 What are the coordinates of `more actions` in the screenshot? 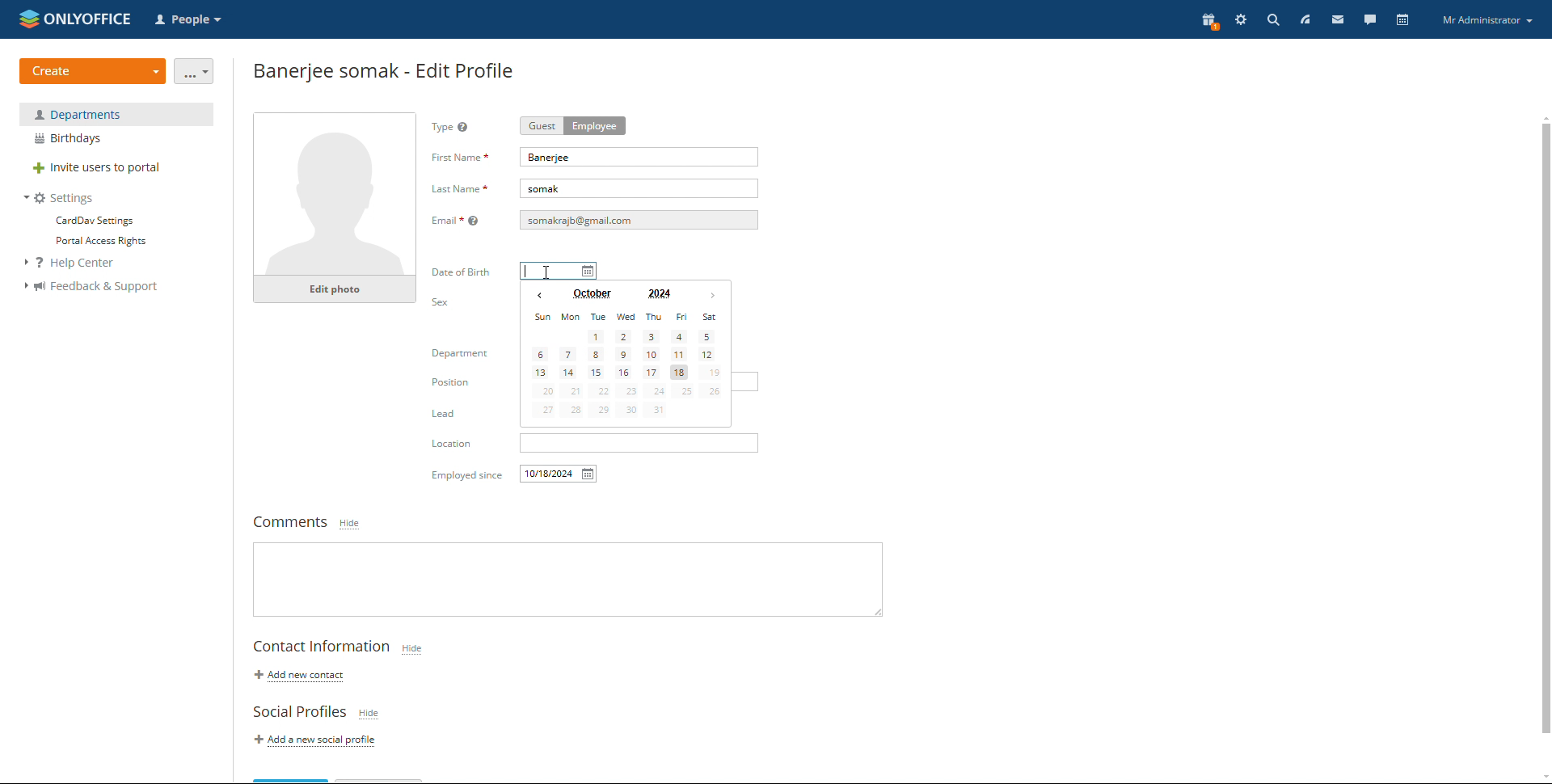 It's located at (195, 71).